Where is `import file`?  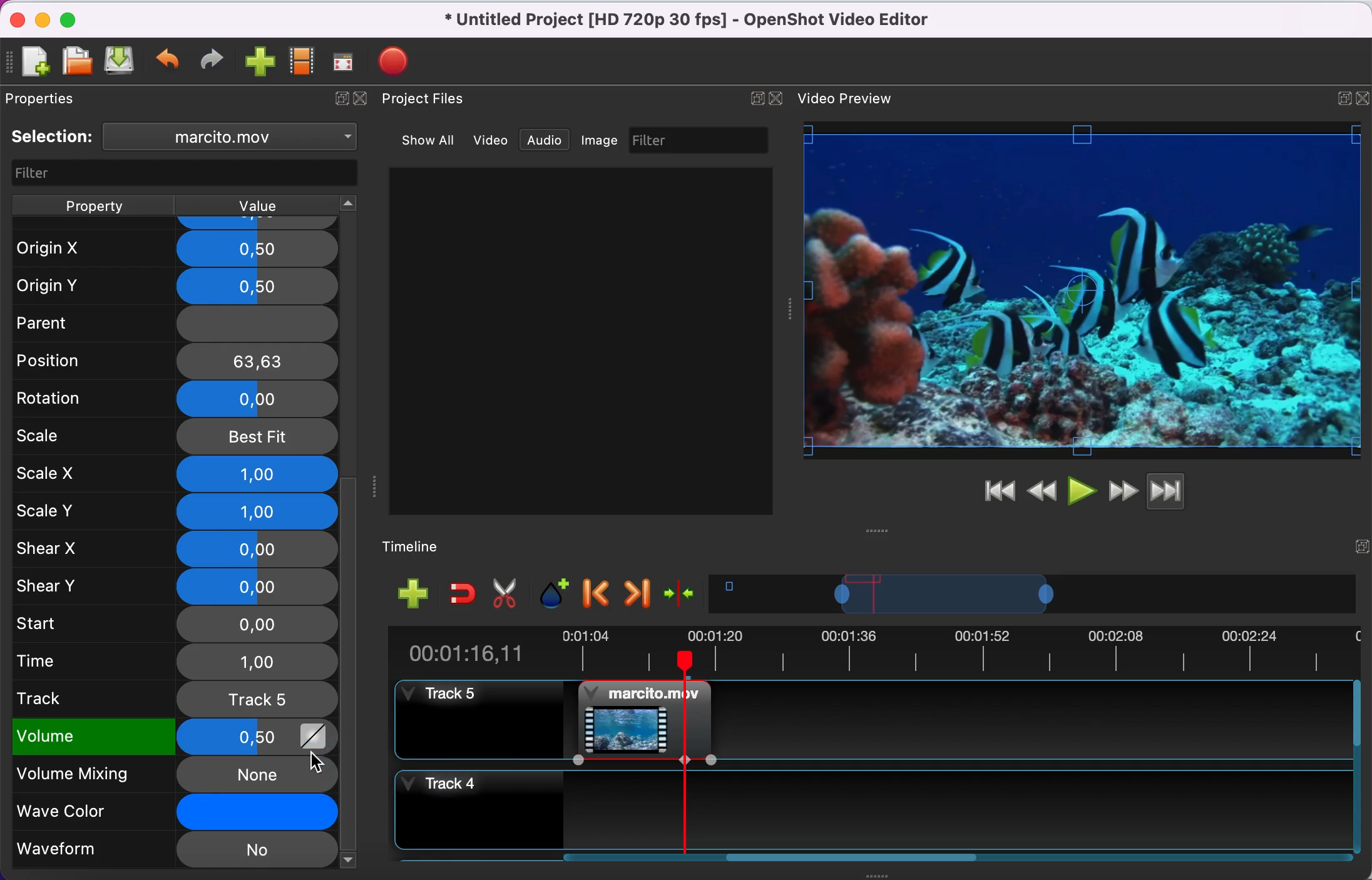 import file is located at coordinates (260, 63).